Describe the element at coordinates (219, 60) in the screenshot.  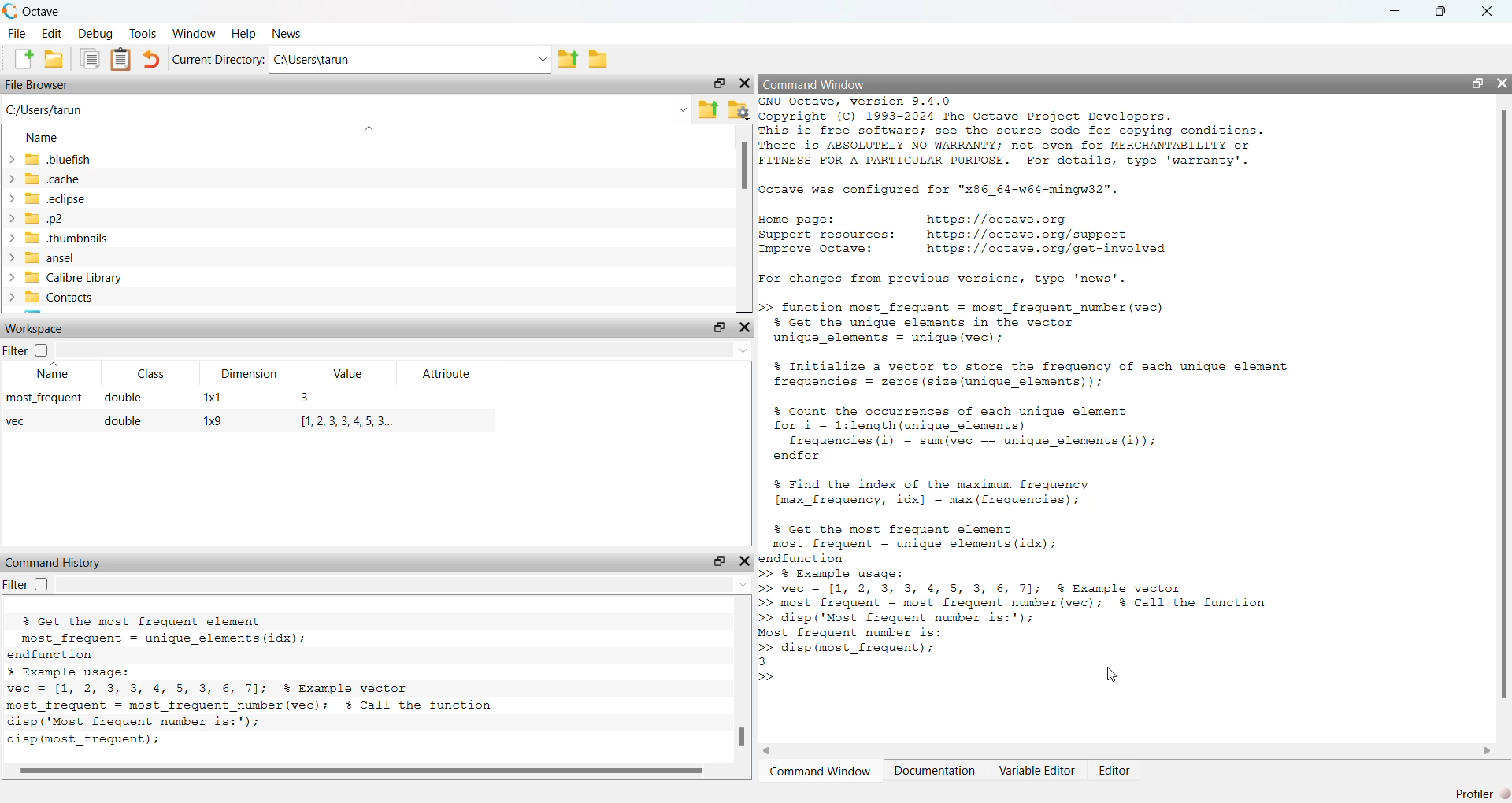
I see `Current Directory:` at that location.